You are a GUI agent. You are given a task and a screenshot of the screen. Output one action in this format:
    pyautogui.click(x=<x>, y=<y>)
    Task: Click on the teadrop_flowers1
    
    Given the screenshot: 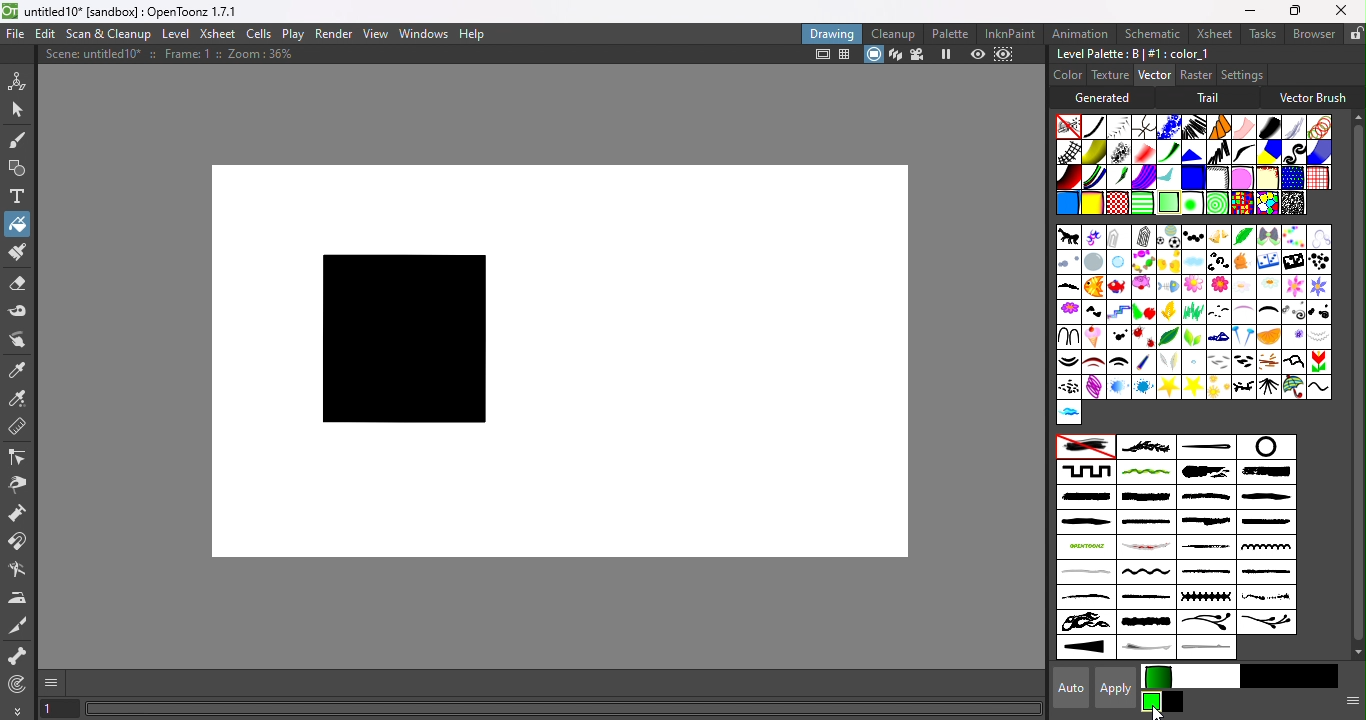 What is the action you would take?
    pyautogui.click(x=1206, y=624)
    